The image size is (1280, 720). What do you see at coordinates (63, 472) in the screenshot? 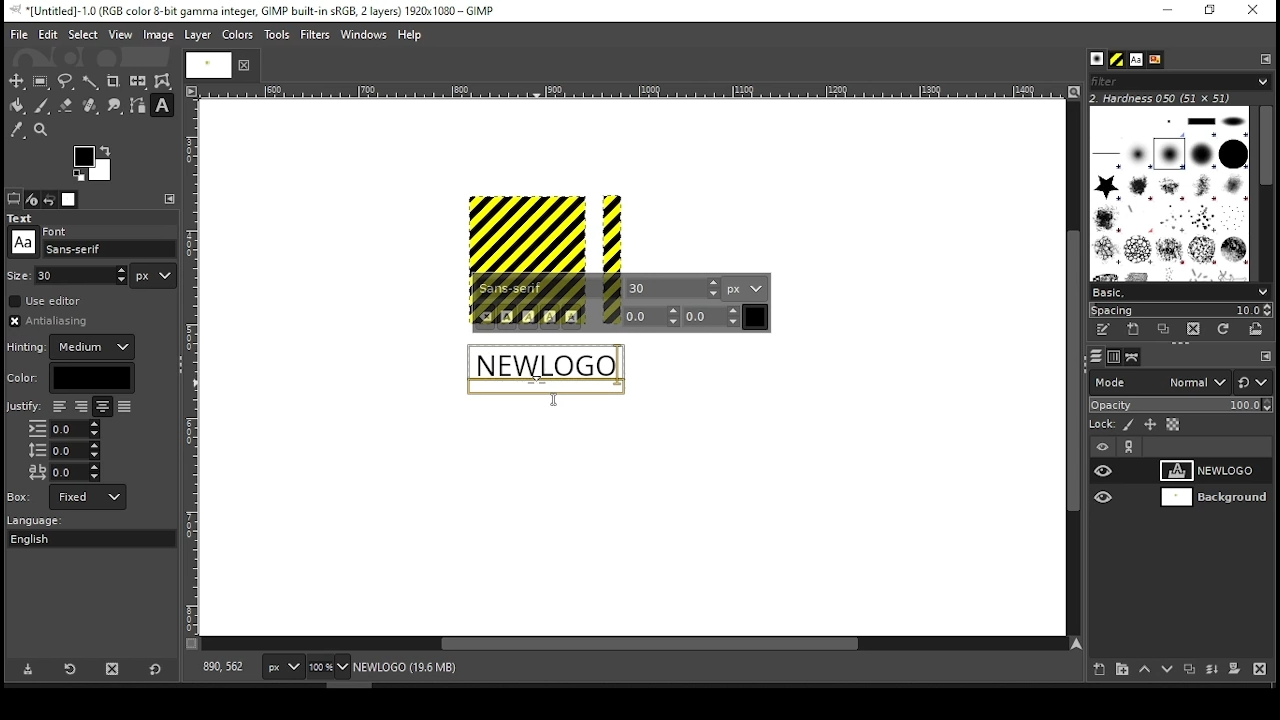
I see `adjust character spacing` at bounding box center [63, 472].